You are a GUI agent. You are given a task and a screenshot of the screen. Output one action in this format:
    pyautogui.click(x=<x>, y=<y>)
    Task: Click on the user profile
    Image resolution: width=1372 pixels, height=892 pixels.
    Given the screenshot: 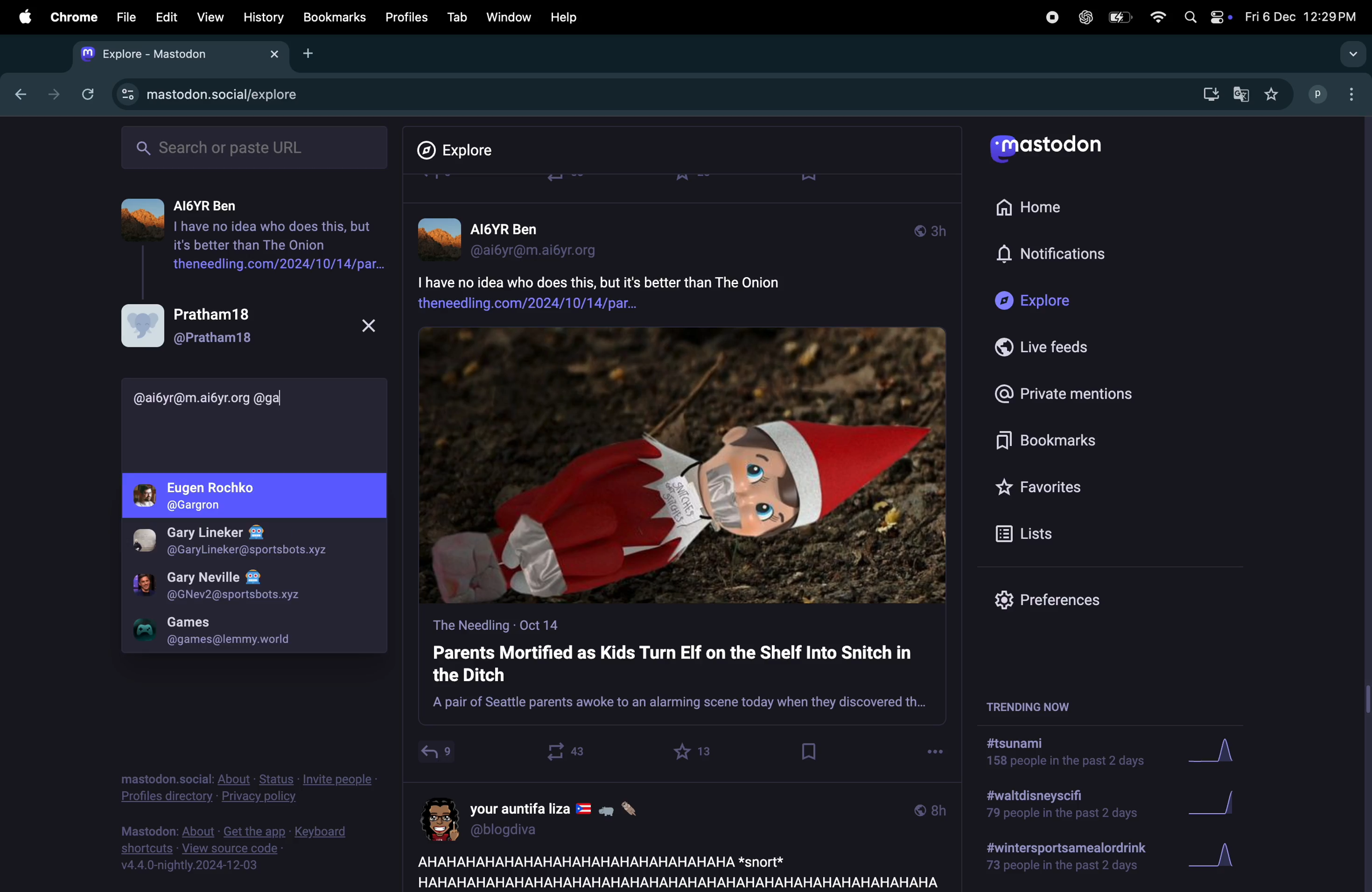 What is the action you would take?
    pyautogui.click(x=550, y=817)
    